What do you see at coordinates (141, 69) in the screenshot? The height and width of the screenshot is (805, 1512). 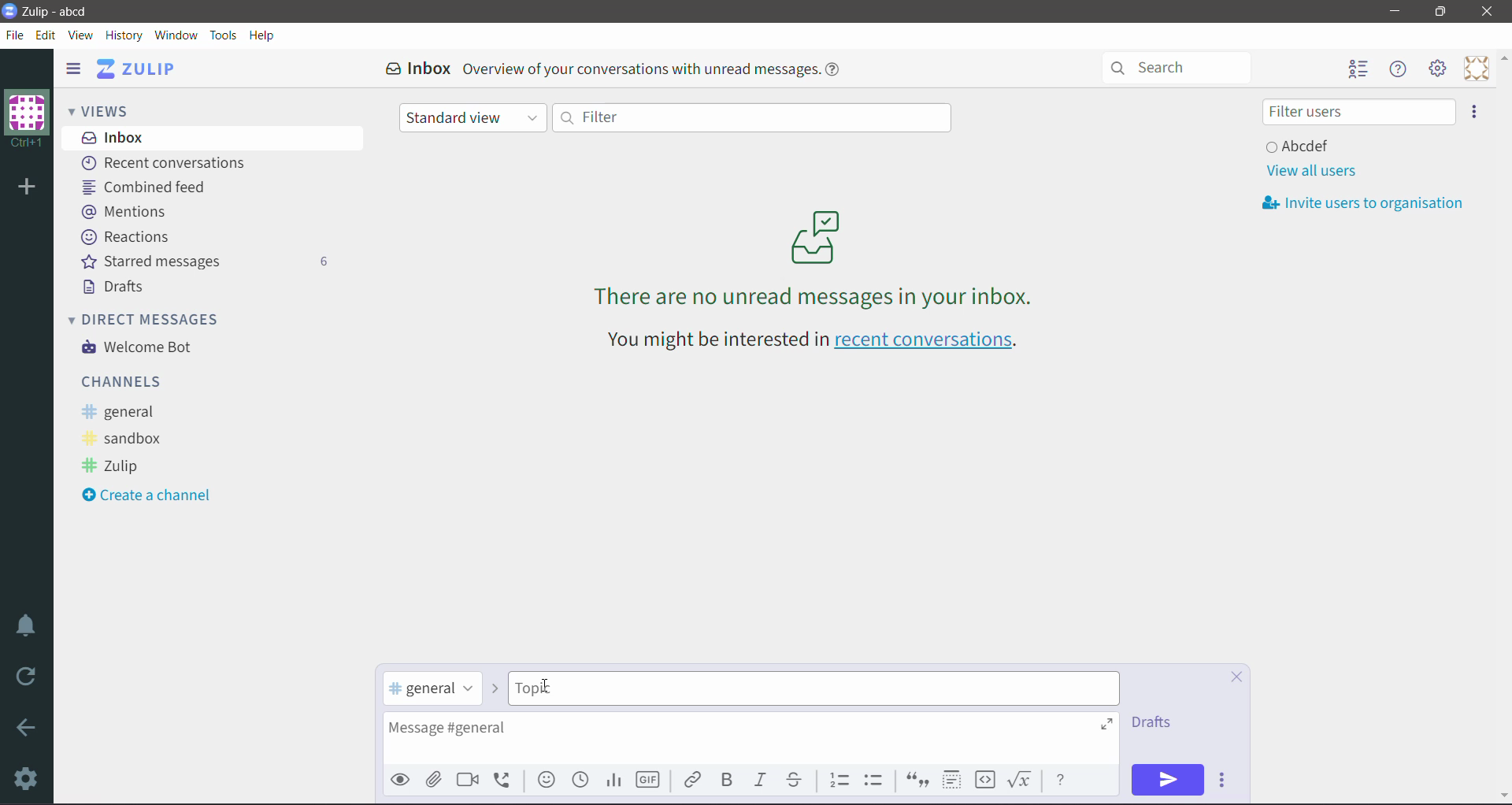 I see `Application` at bounding box center [141, 69].